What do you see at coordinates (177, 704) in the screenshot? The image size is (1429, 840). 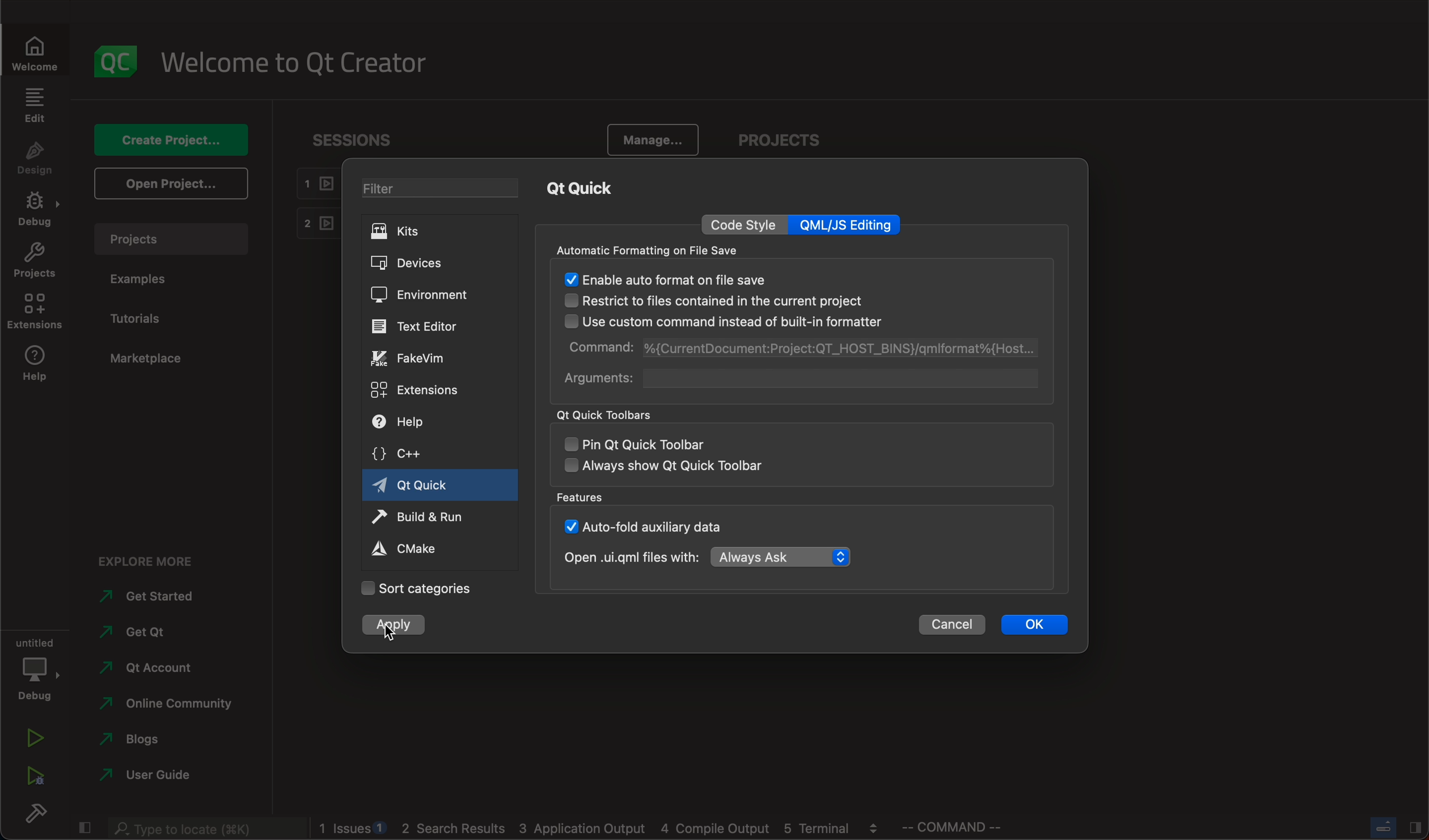 I see `community` at bounding box center [177, 704].